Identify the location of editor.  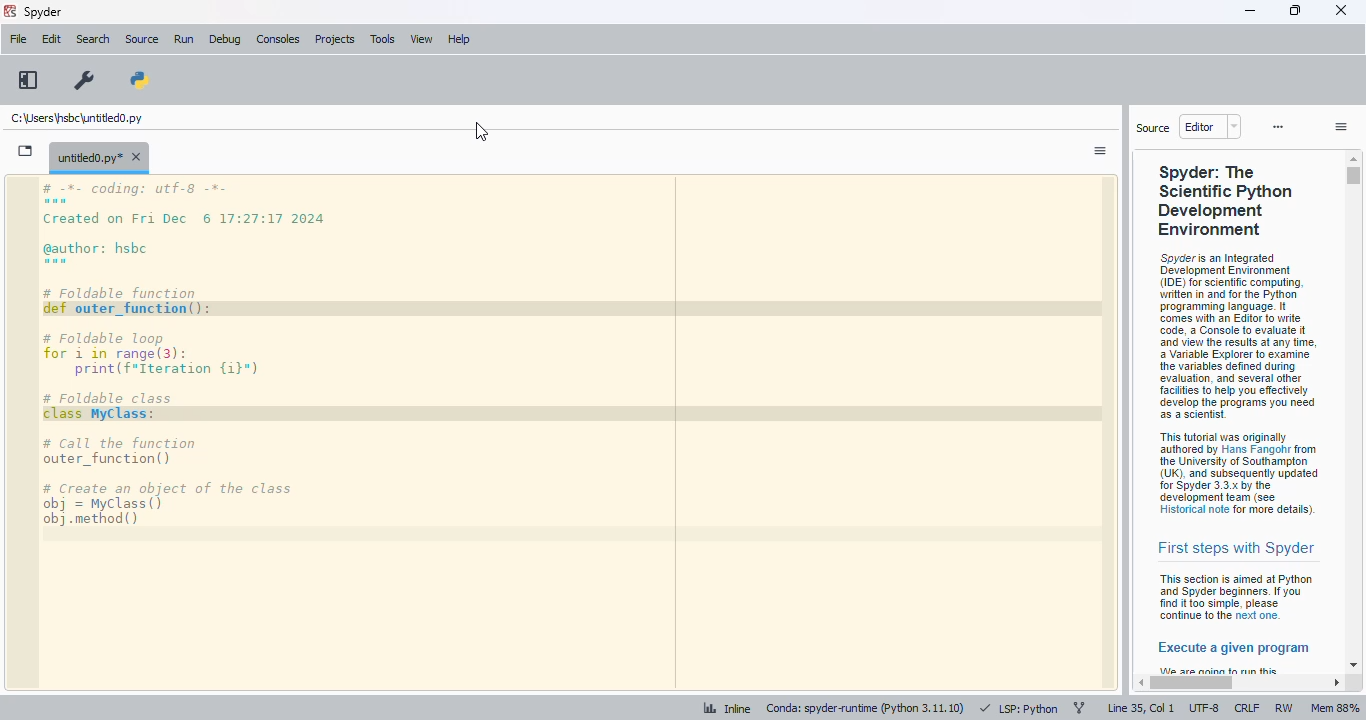
(1211, 127).